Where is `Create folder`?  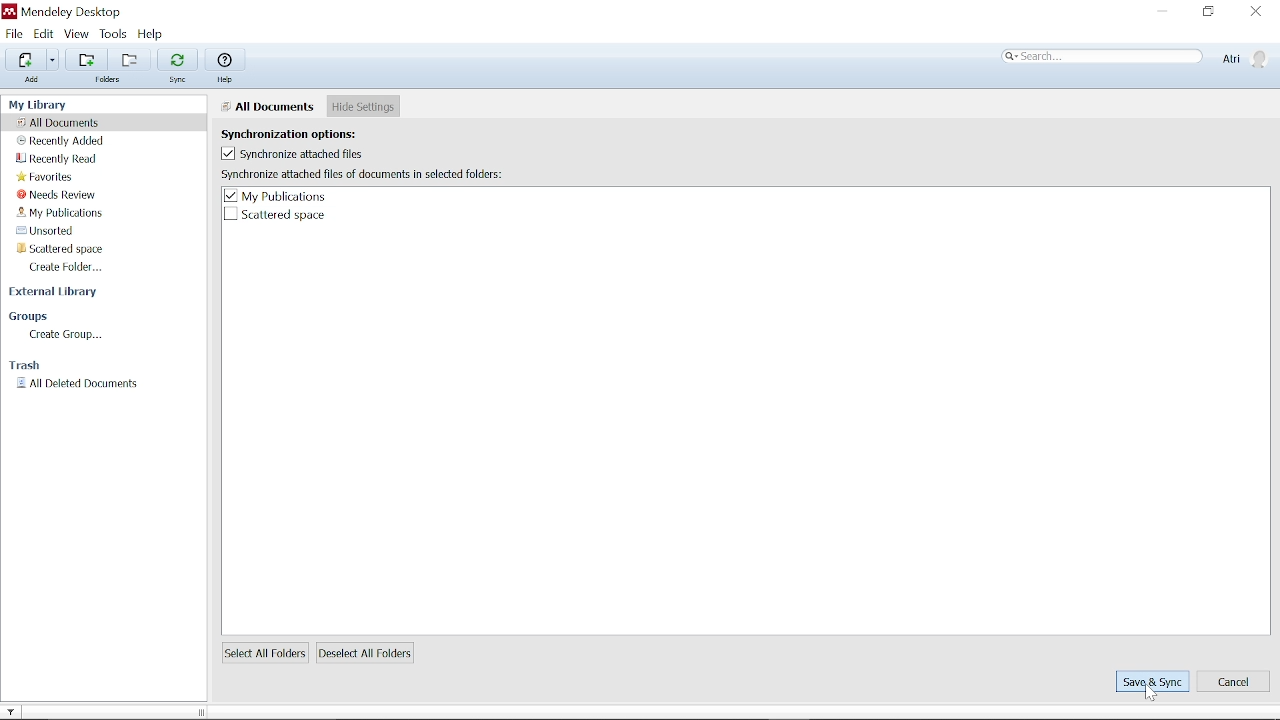
Create folder is located at coordinates (68, 268).